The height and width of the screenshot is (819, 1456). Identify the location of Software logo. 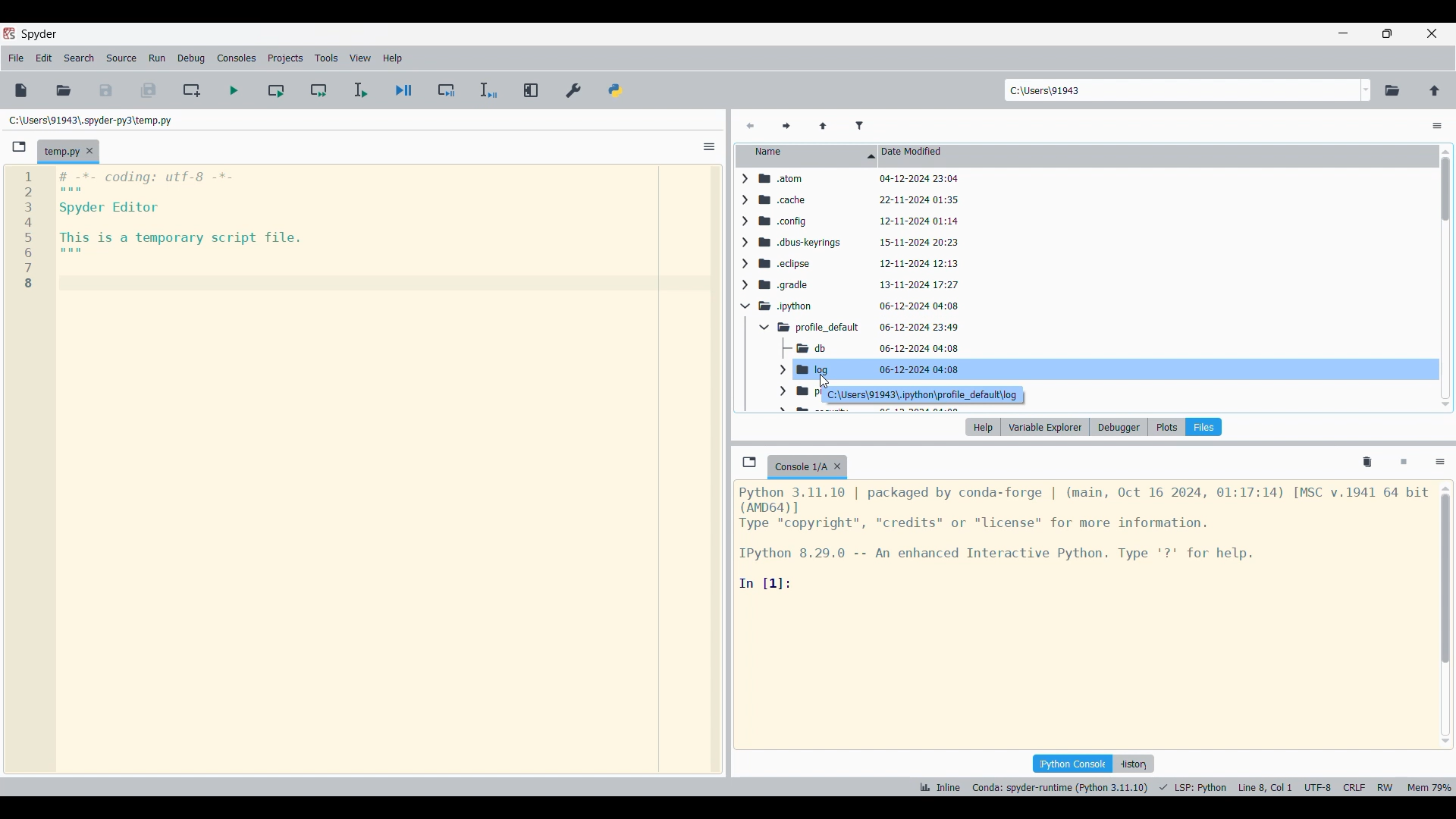
(9, 33).